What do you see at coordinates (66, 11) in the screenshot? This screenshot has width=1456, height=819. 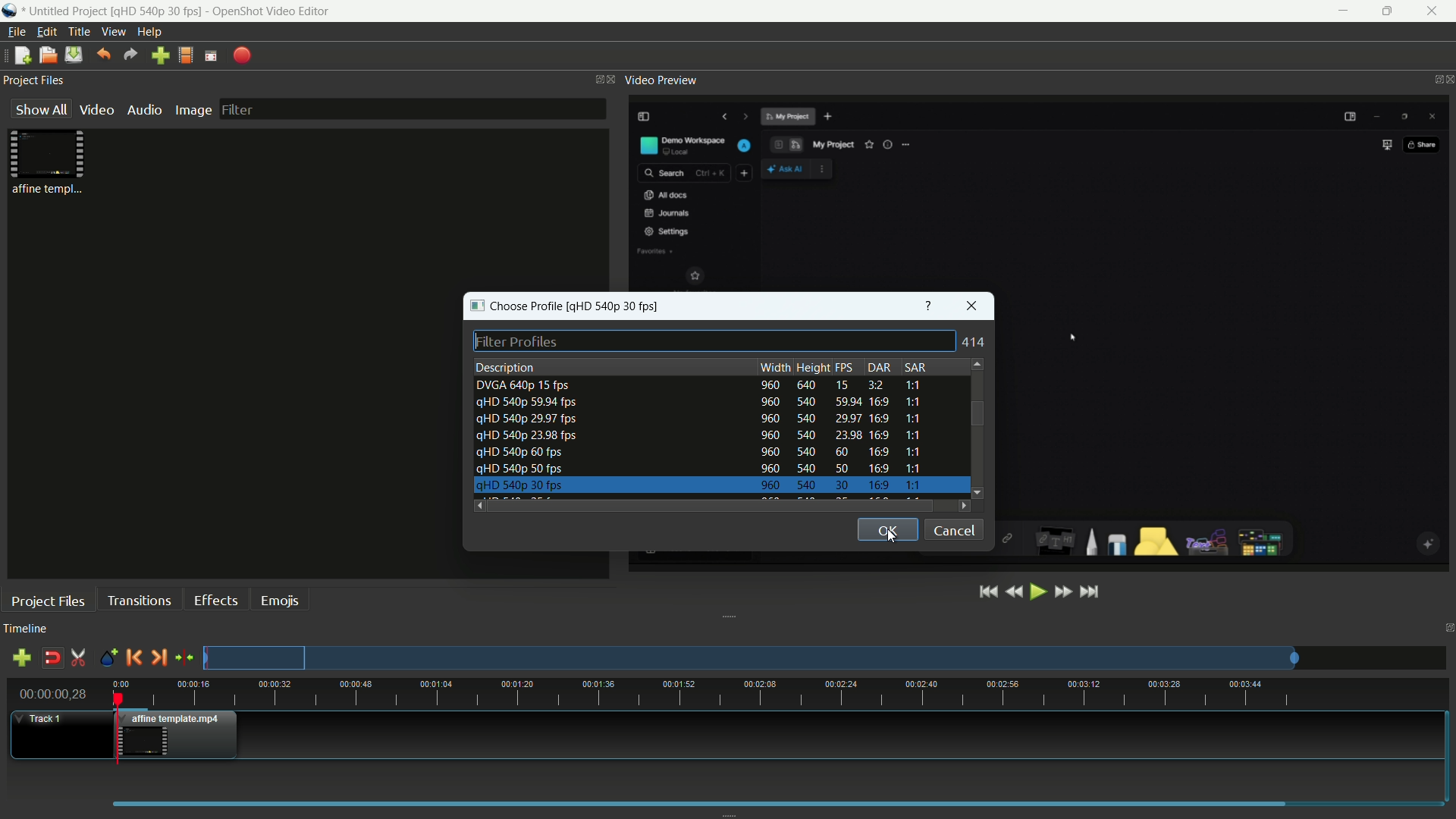 I see `project name` at bounding box center [66, 11].